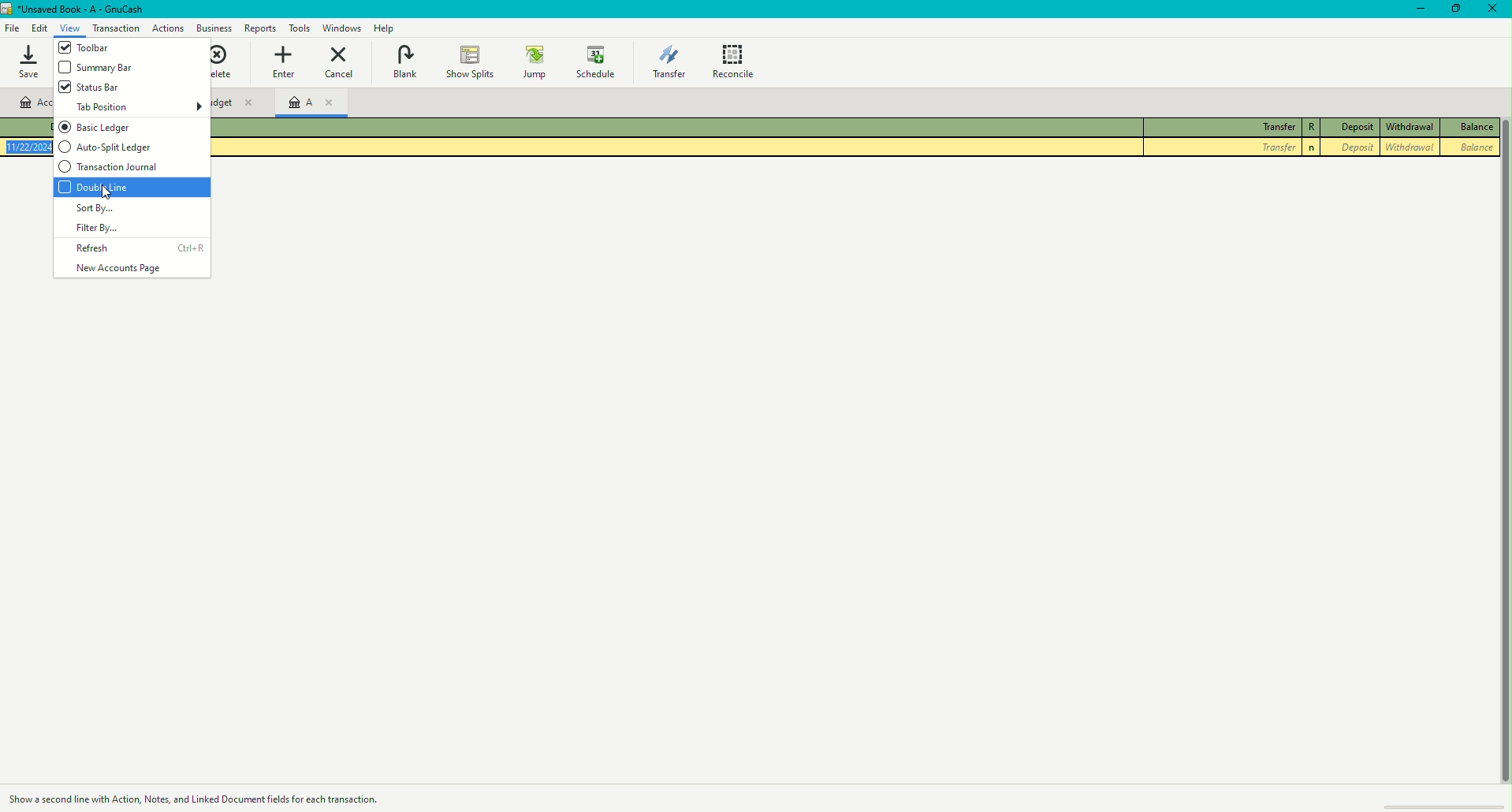 The width and height of the screenshot is (1512, 812). I want to click on Basic ledger, so click(95, 126).